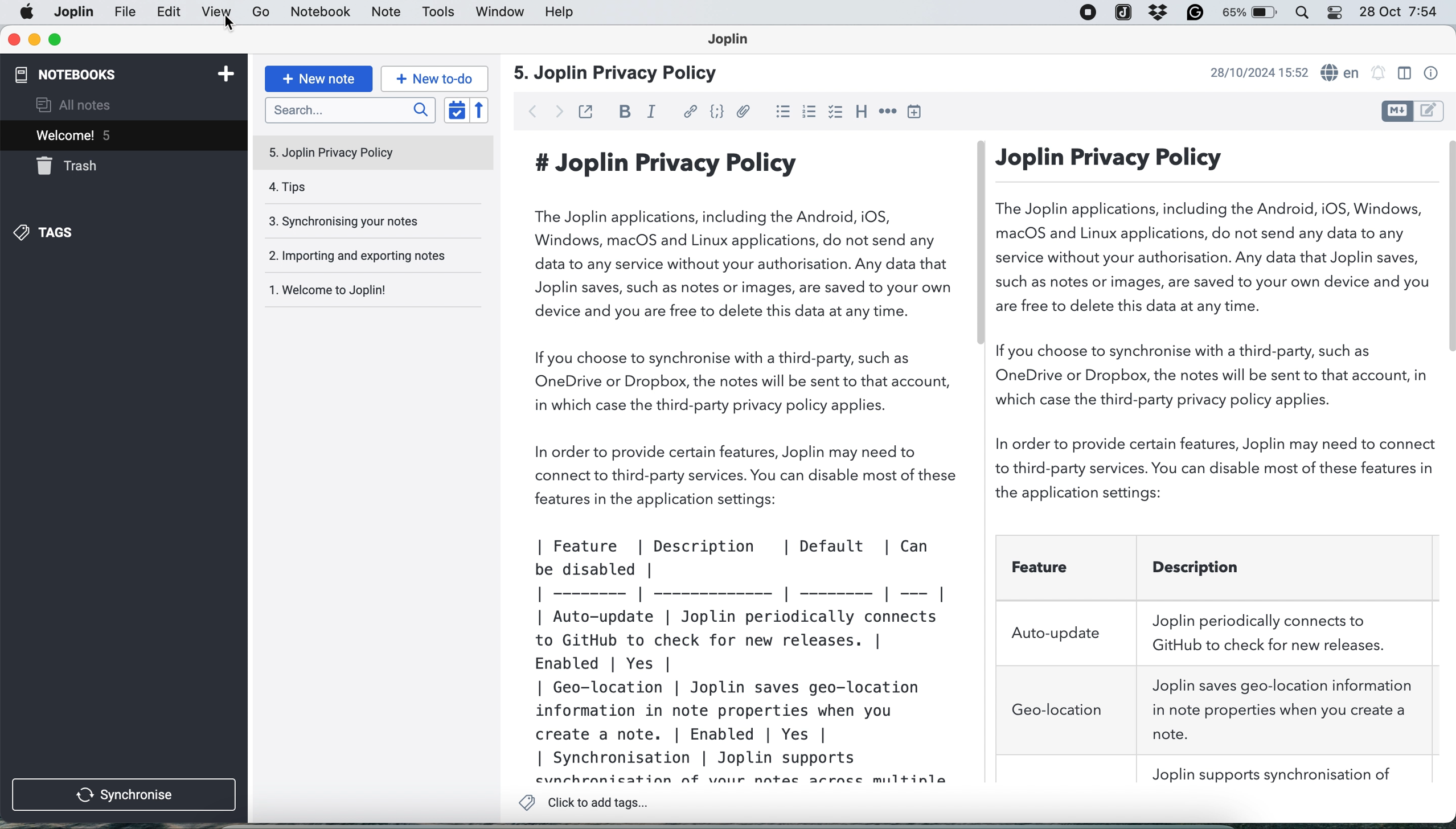  Describe the element at coordinates (47, 232) in the screenshot. I see `tags` at that location.